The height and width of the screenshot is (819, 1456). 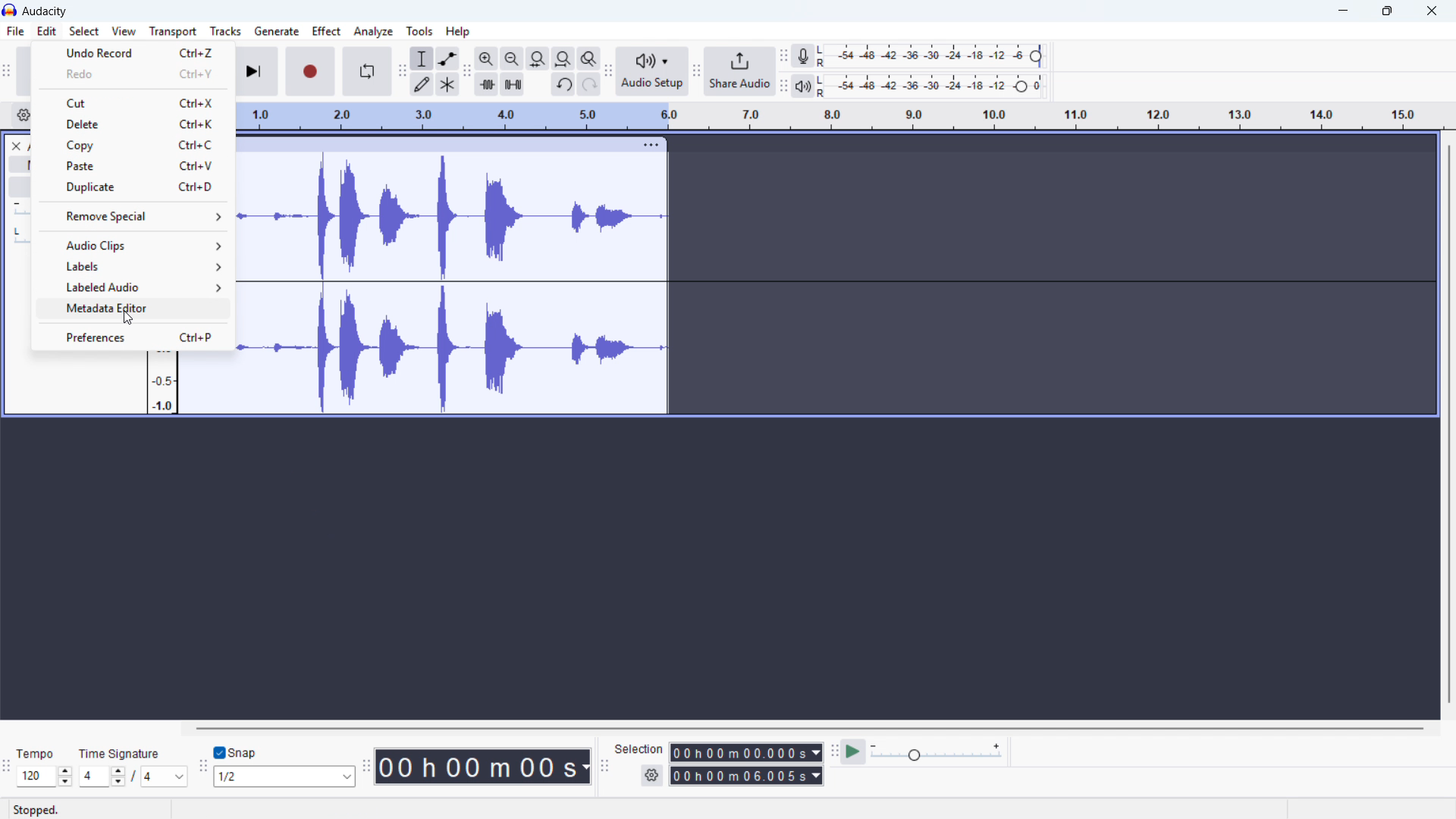 I want to click on close, so click(x=1430, y=11).